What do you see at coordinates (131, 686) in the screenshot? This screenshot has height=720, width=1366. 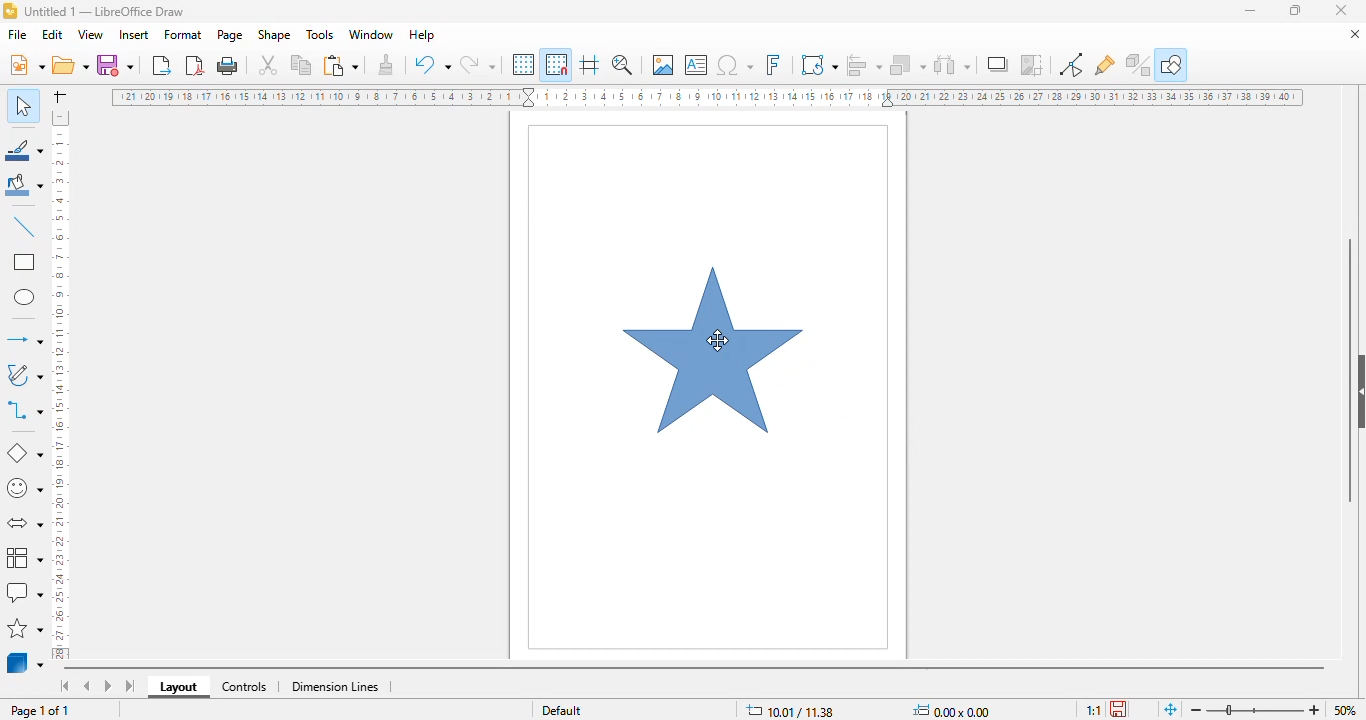 I see `scroll to last sheet` at bounding box center [131, 686].